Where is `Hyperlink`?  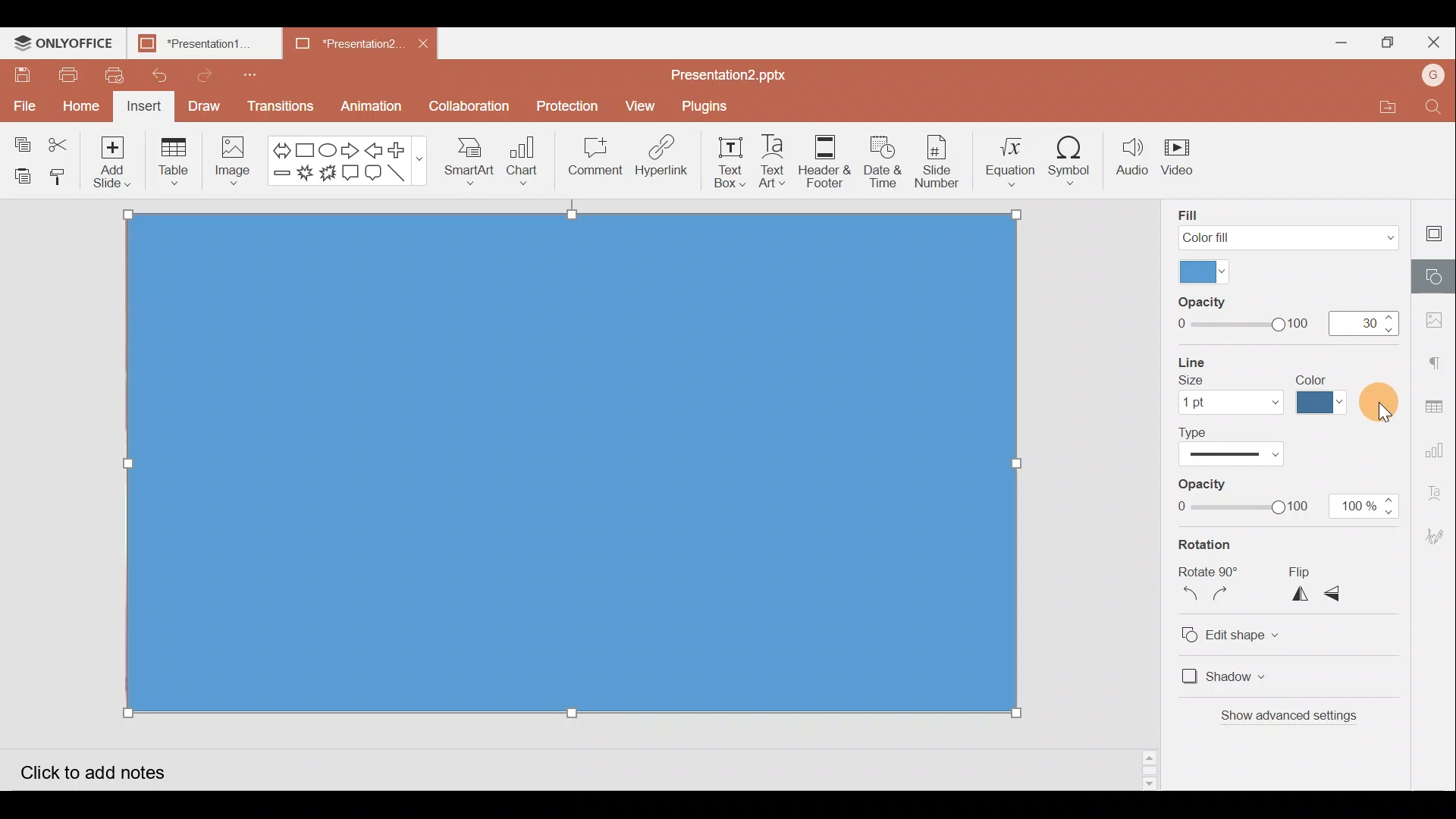
Hyperlink is located at coordinates (657, 158).